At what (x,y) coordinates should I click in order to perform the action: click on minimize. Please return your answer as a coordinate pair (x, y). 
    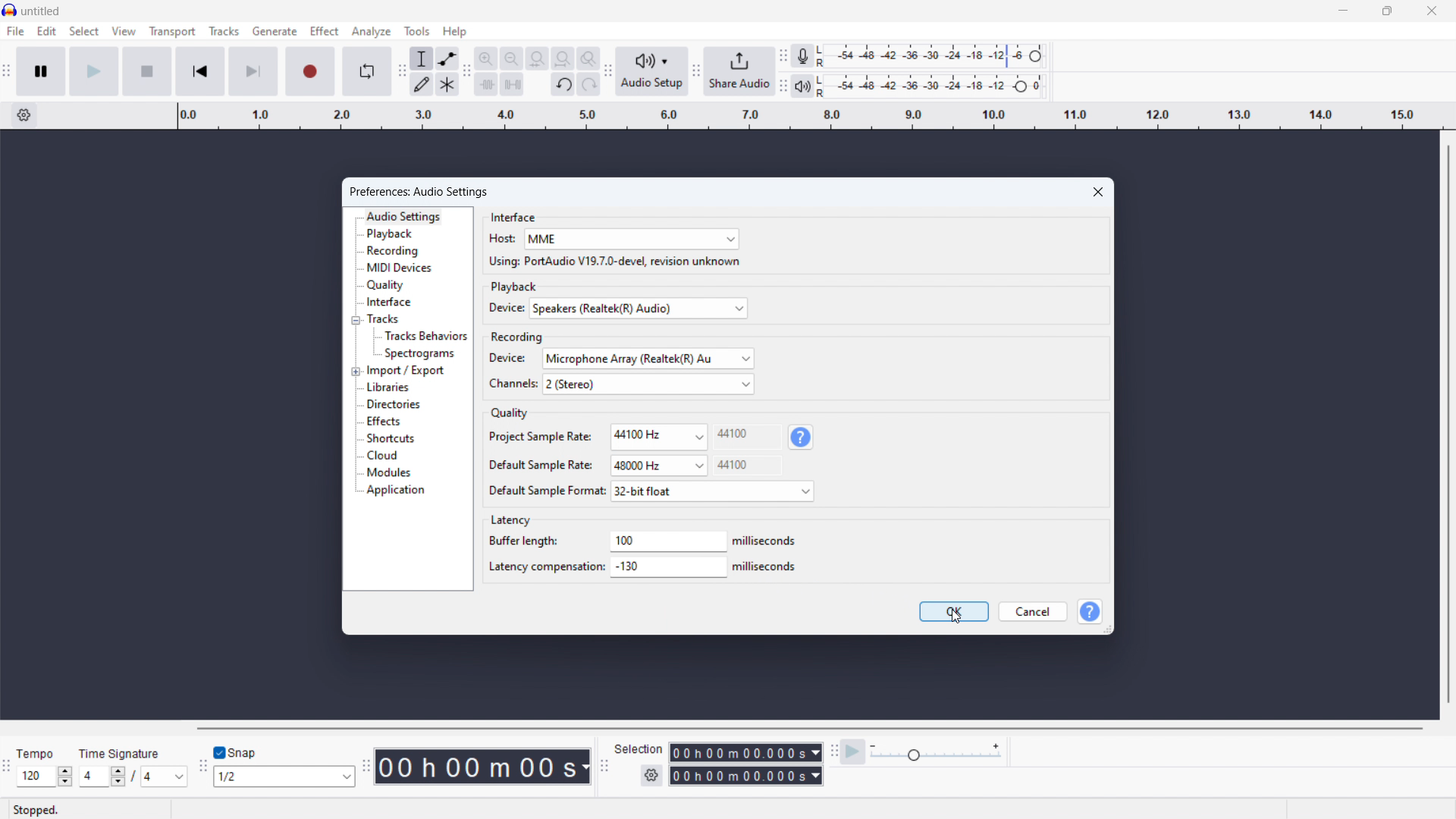
    Looking at the image, I should click on (1344, 11).